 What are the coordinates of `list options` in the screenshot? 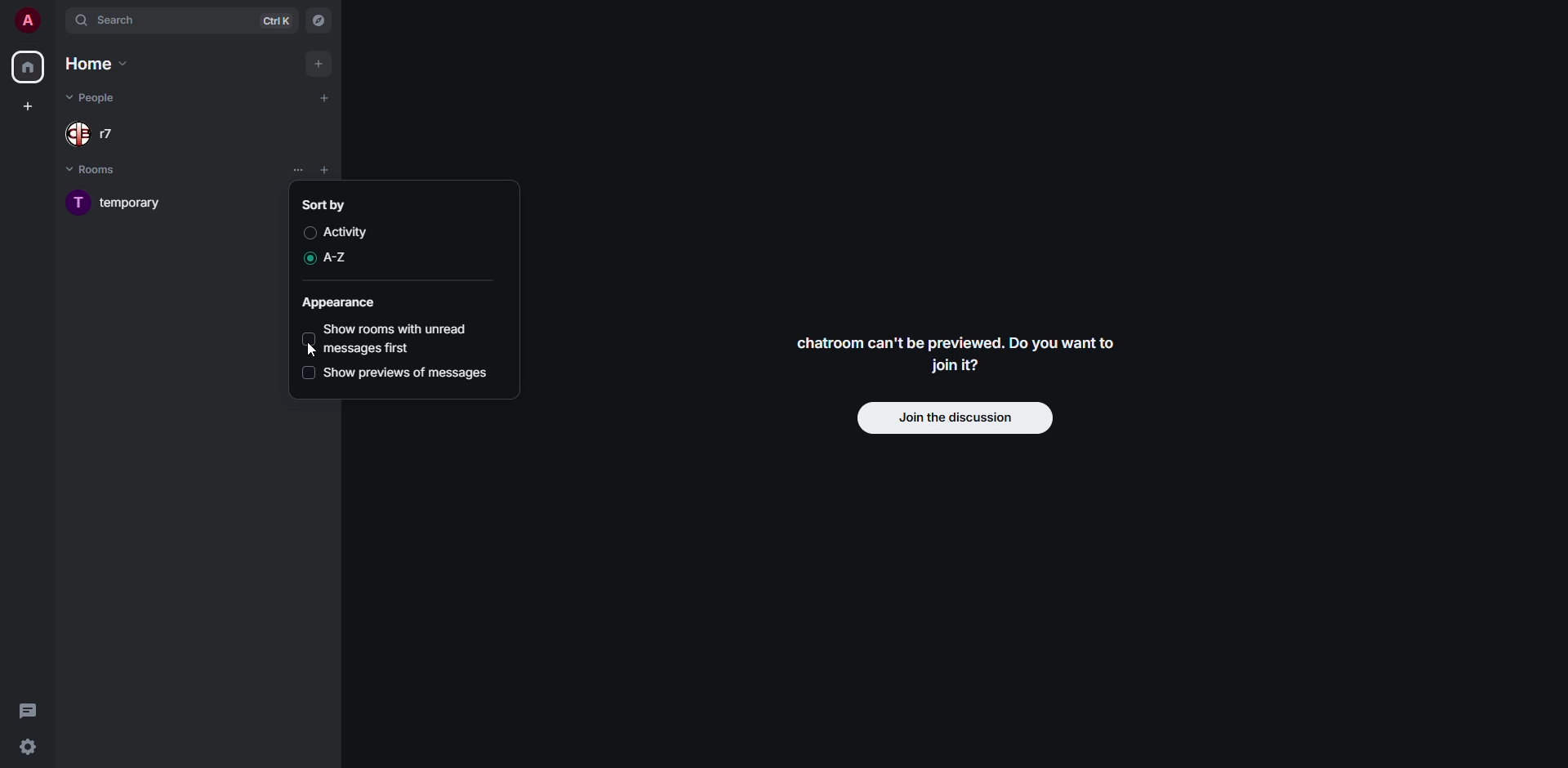 It's located at (350, 171).